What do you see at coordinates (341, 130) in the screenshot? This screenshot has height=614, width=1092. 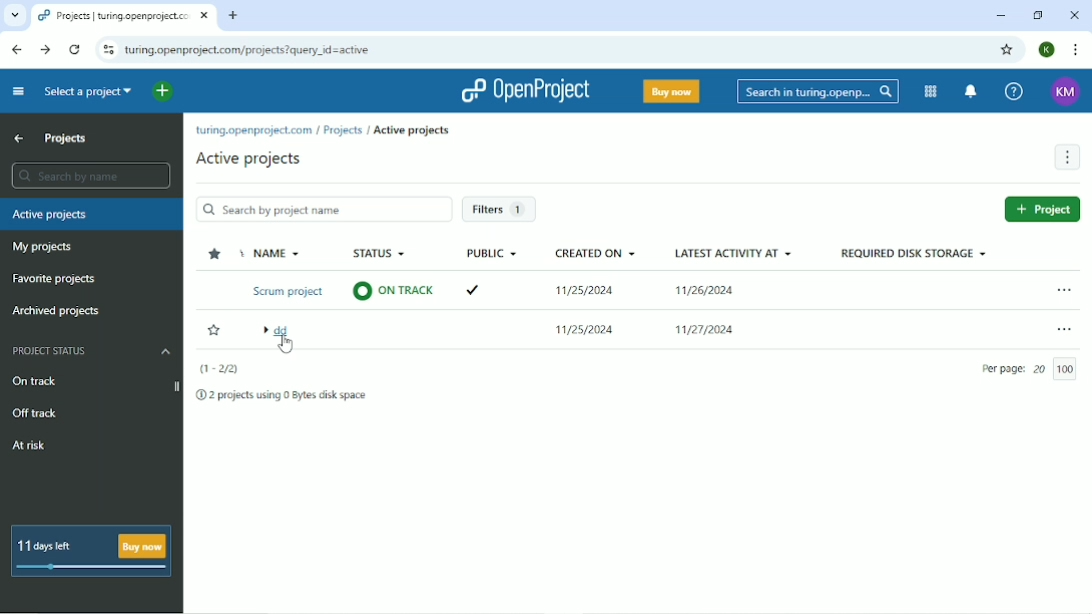 I see `Projects` at bounding box center [341, 130].